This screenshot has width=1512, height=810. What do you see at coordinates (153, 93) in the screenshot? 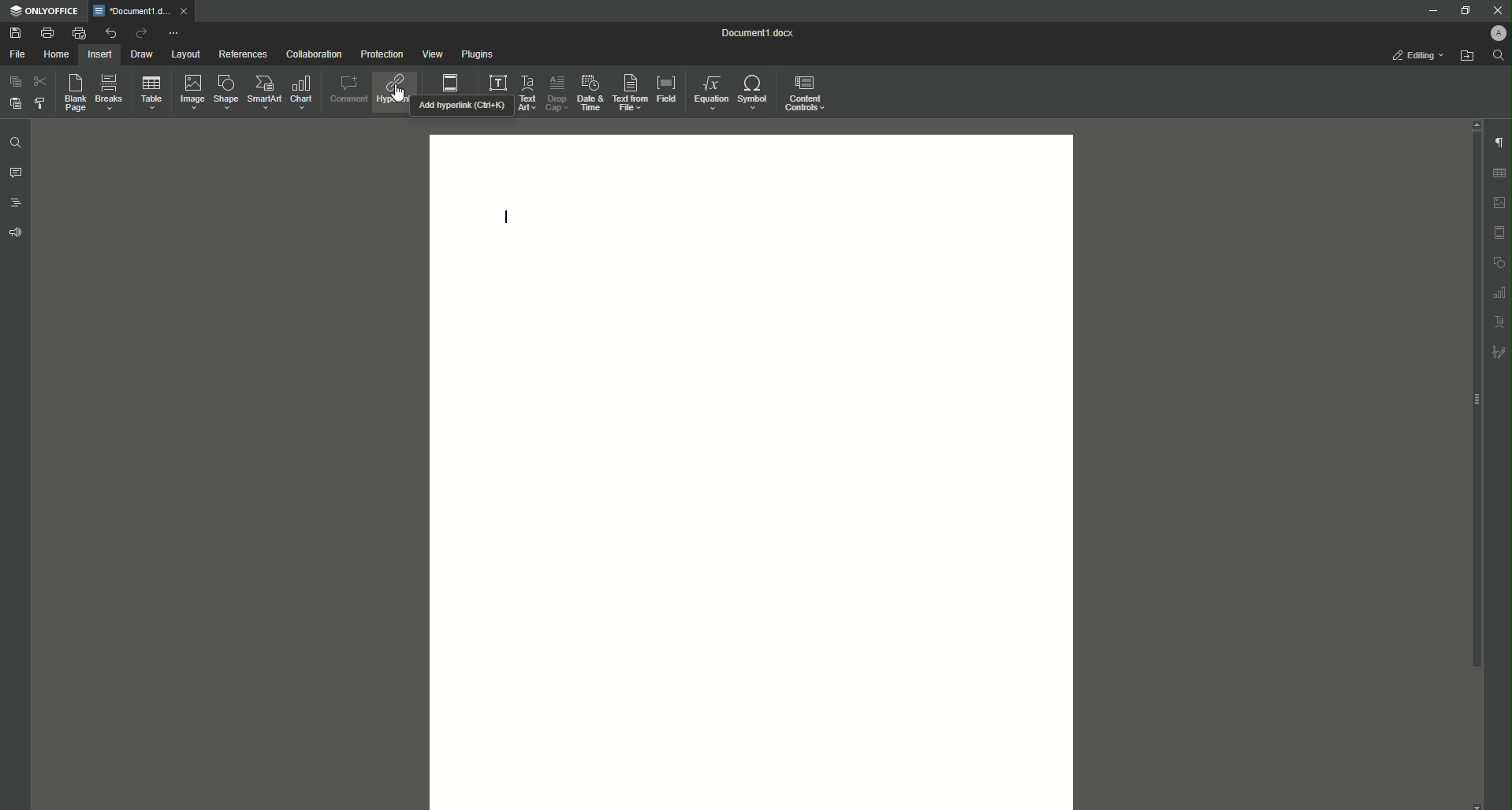
I see `Table` at bounding box center [153, 93].